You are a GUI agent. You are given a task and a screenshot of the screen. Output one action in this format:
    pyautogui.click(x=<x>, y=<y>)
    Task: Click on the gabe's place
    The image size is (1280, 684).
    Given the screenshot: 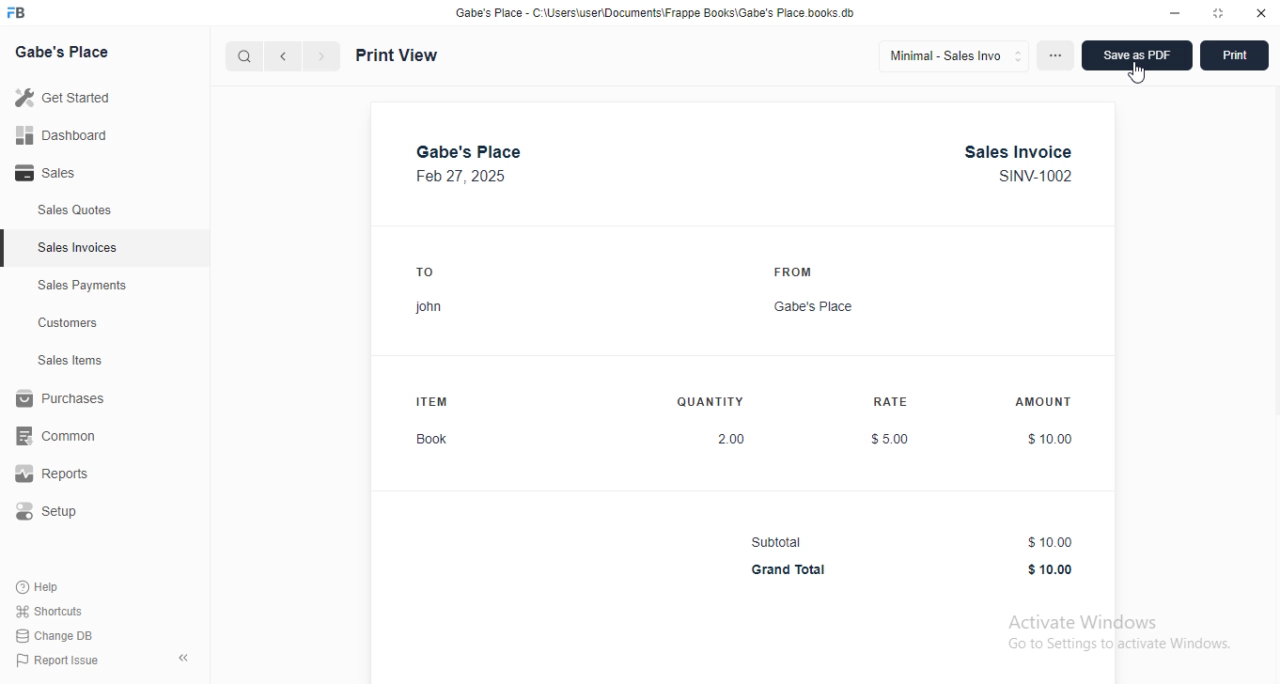 What is the action you would take?
    pyautogui.click(x=63, y=51)
    